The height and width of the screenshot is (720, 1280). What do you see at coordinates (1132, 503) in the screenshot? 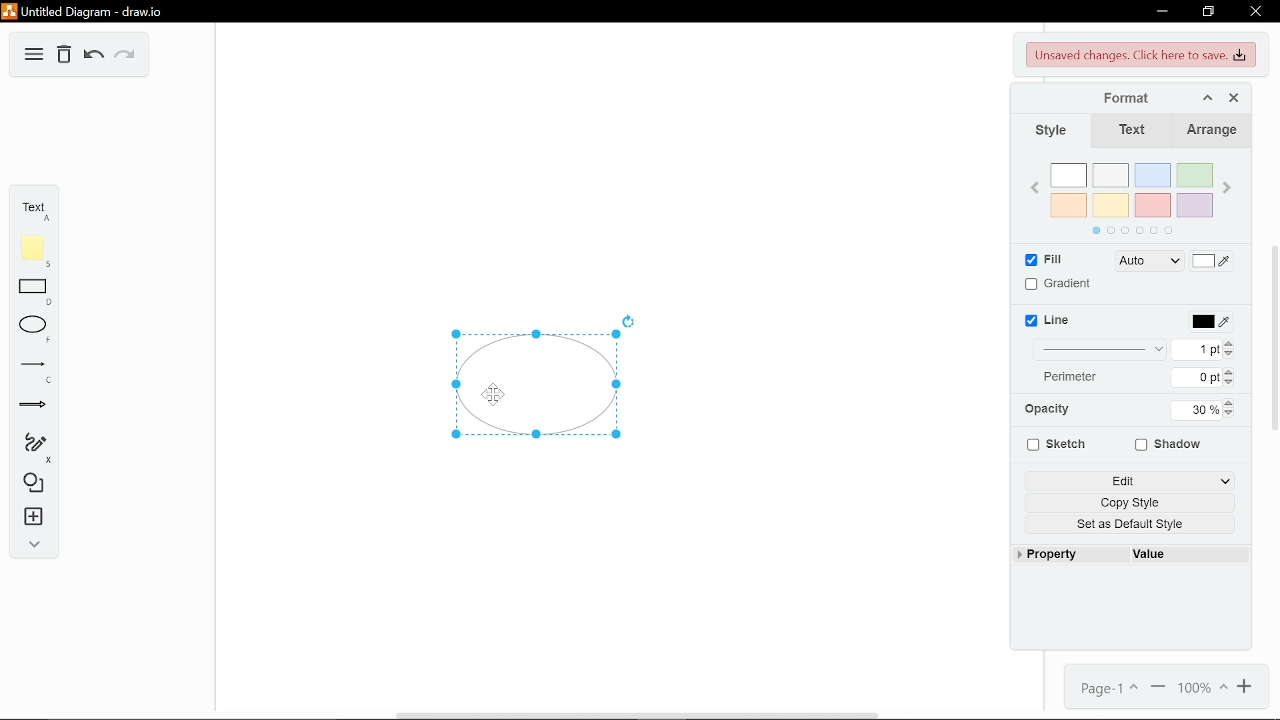
I see `Copy style` at bounding box center [1132, 503].